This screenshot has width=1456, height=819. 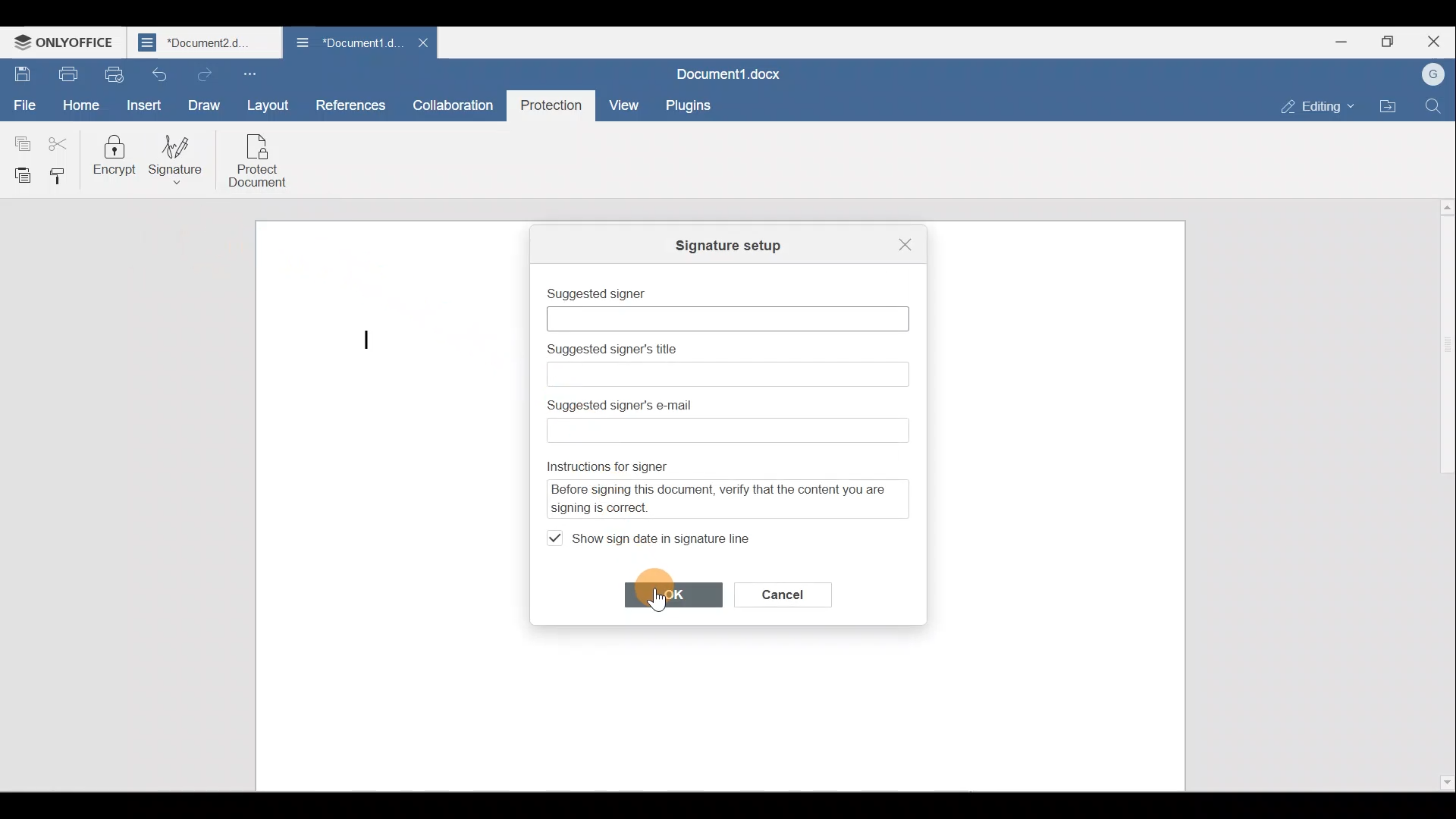 What do you see at coordinates (902, 241) in the screenshot?
I see `Close` at bounding box center [902, 241].